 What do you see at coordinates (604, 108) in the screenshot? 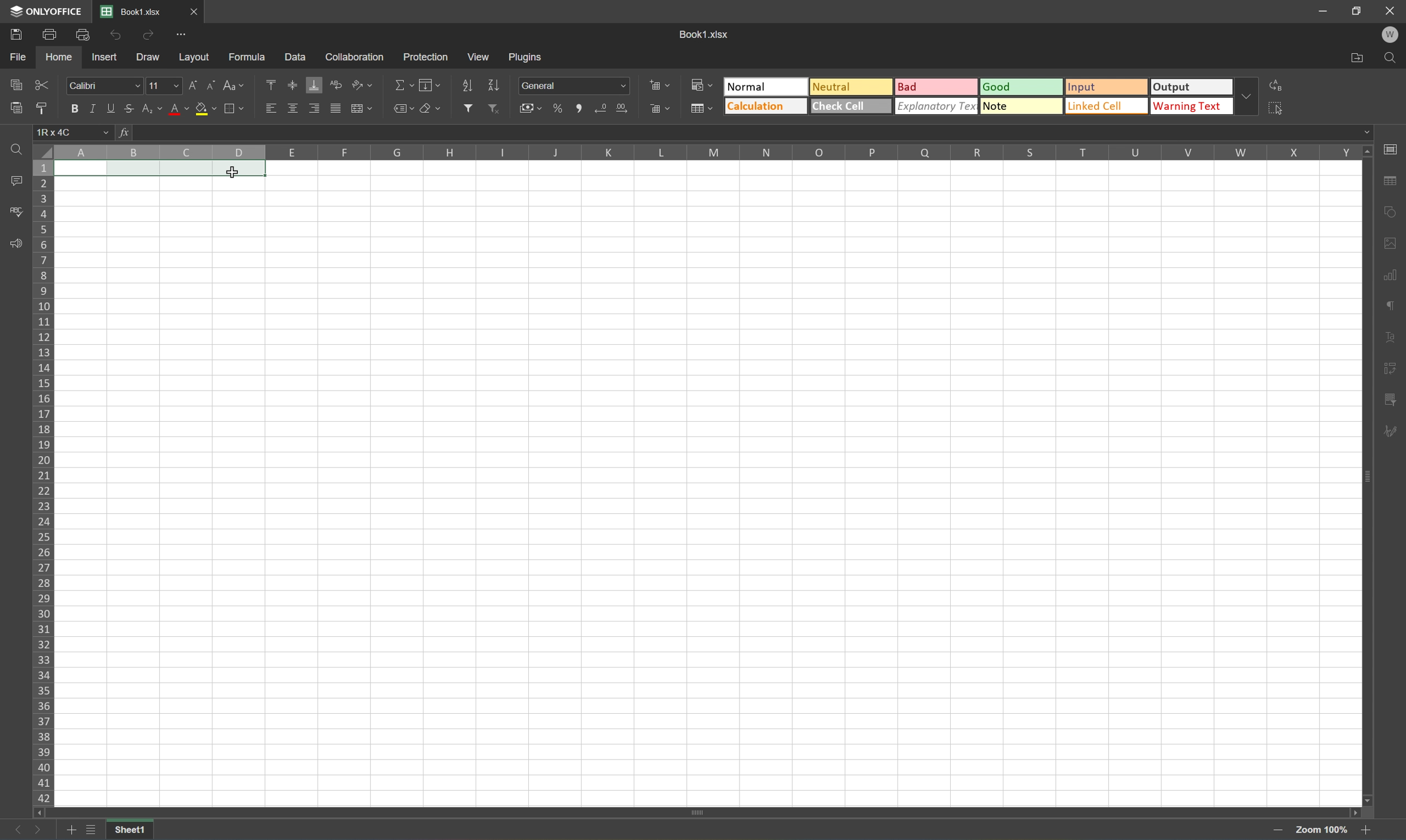
I see `Decrease decimal` at bounding box center [604, 108].